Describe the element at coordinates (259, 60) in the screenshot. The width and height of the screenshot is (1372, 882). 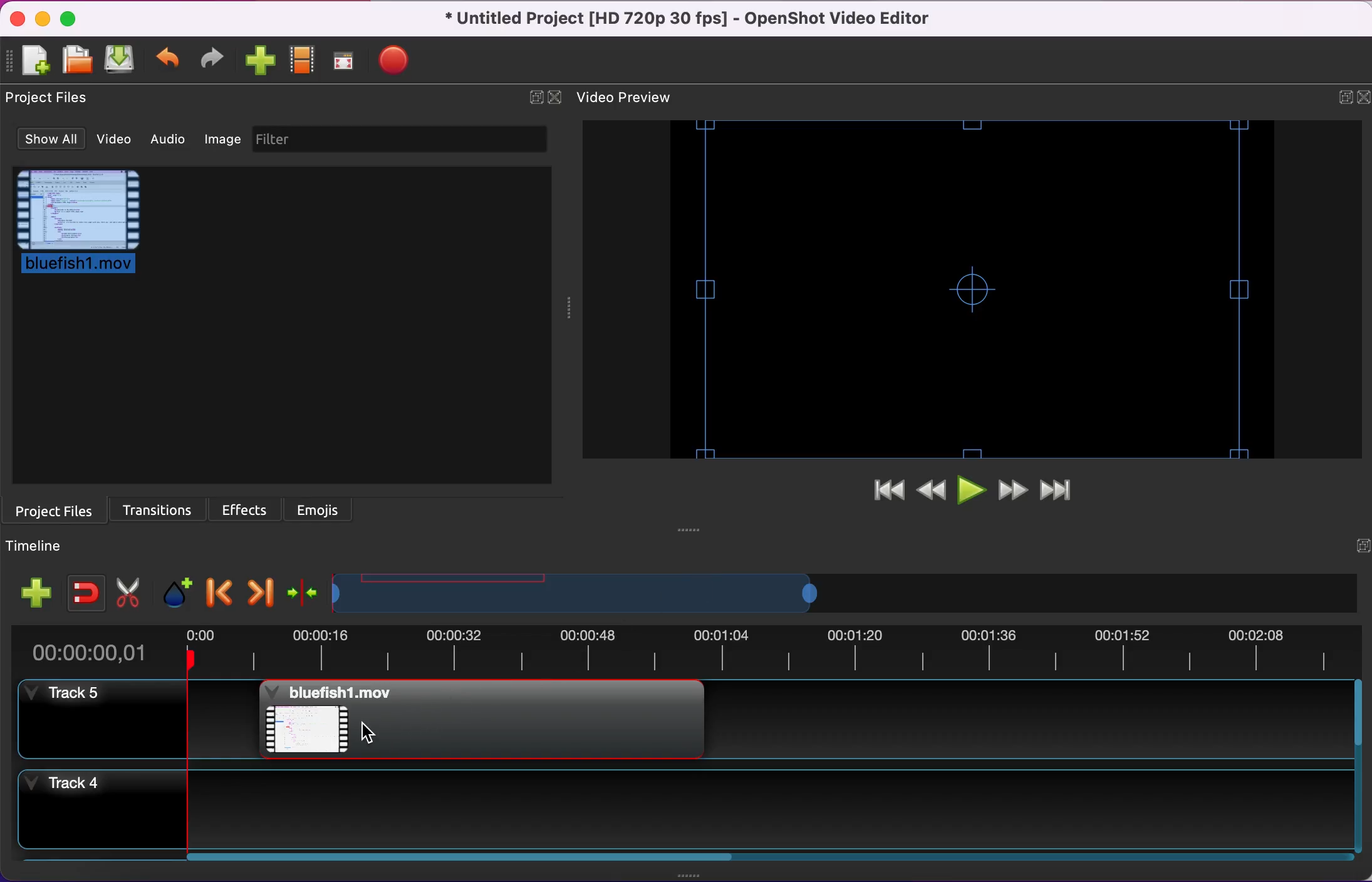
I see `import files` at that location.